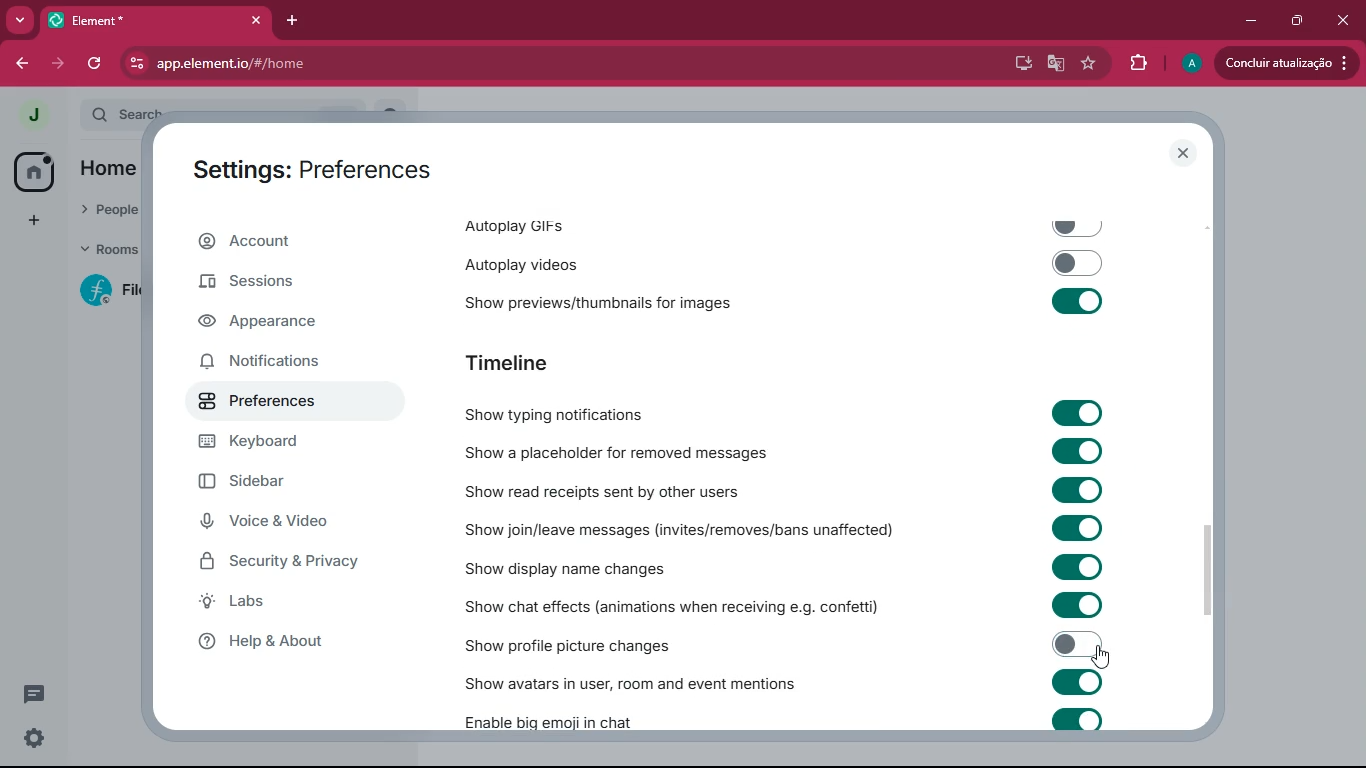 The image size is (1366, 768). Describe the element at coordinates (582, 364) in the screenshot. I see `timeline` at that location.